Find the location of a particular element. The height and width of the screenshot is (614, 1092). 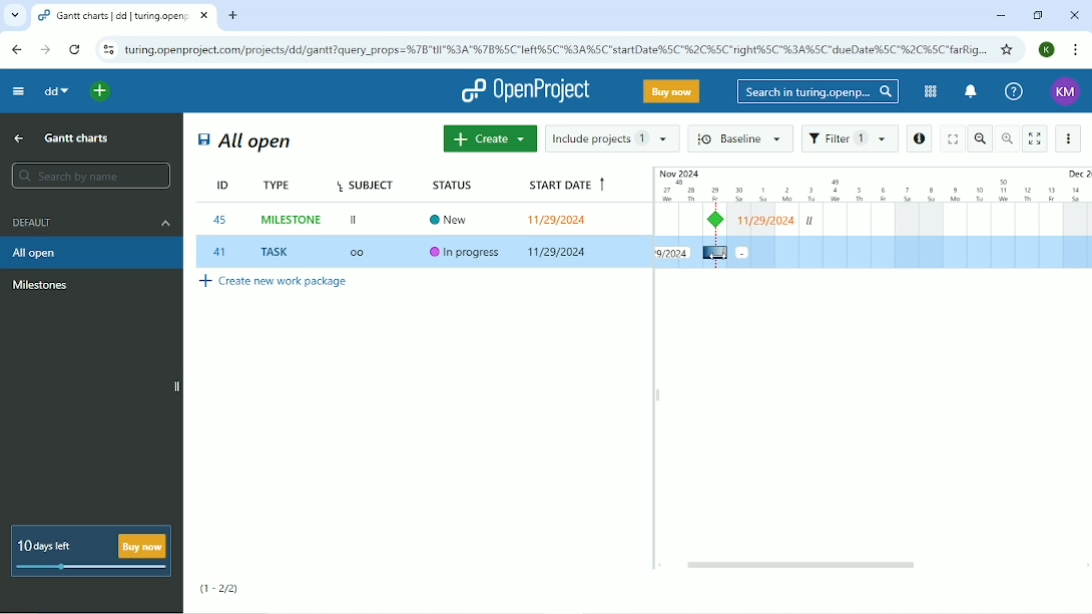

Milestone start date is located at coordinates (767, 221).